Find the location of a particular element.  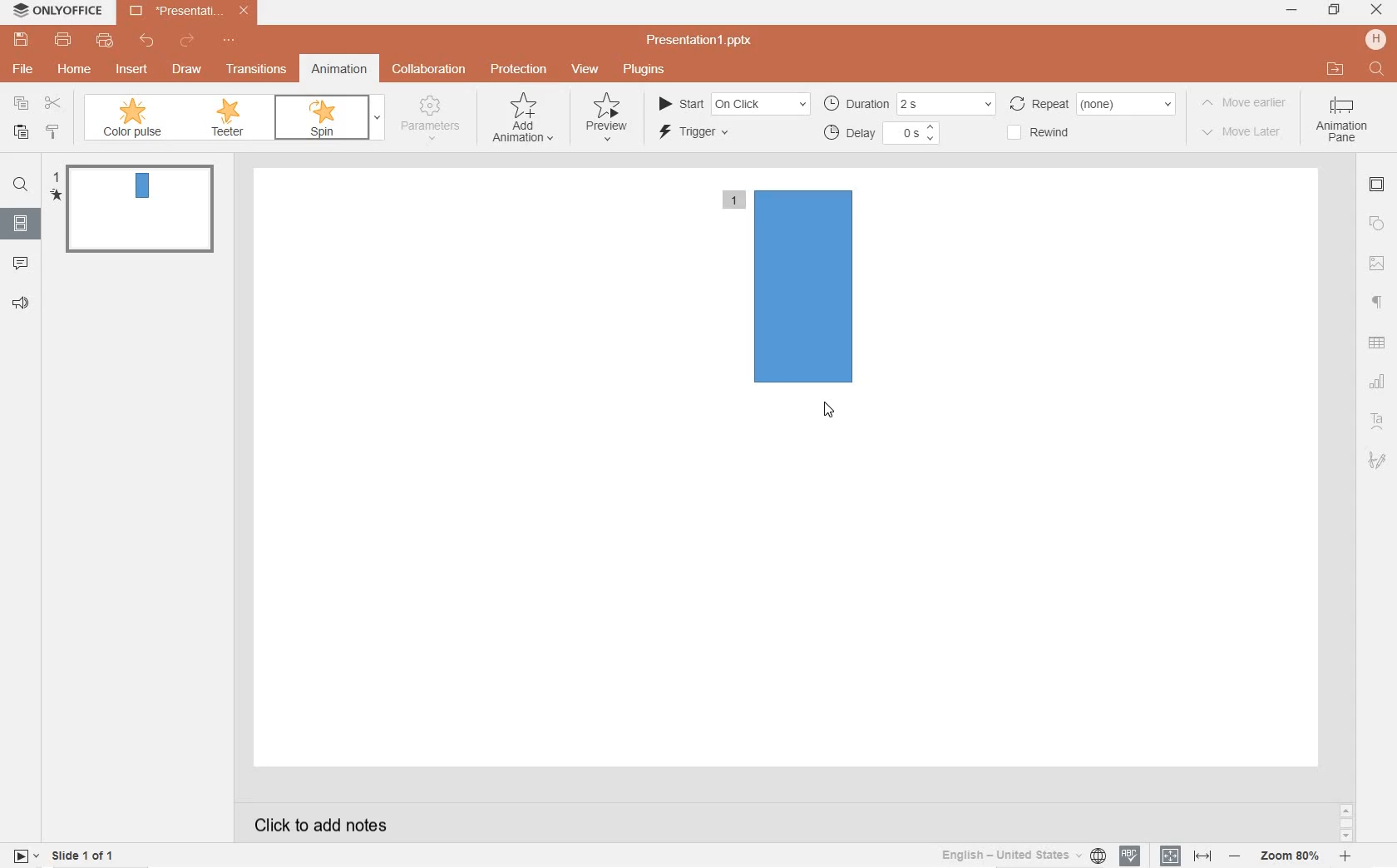

FIND is located at coordinates (1378, 70).